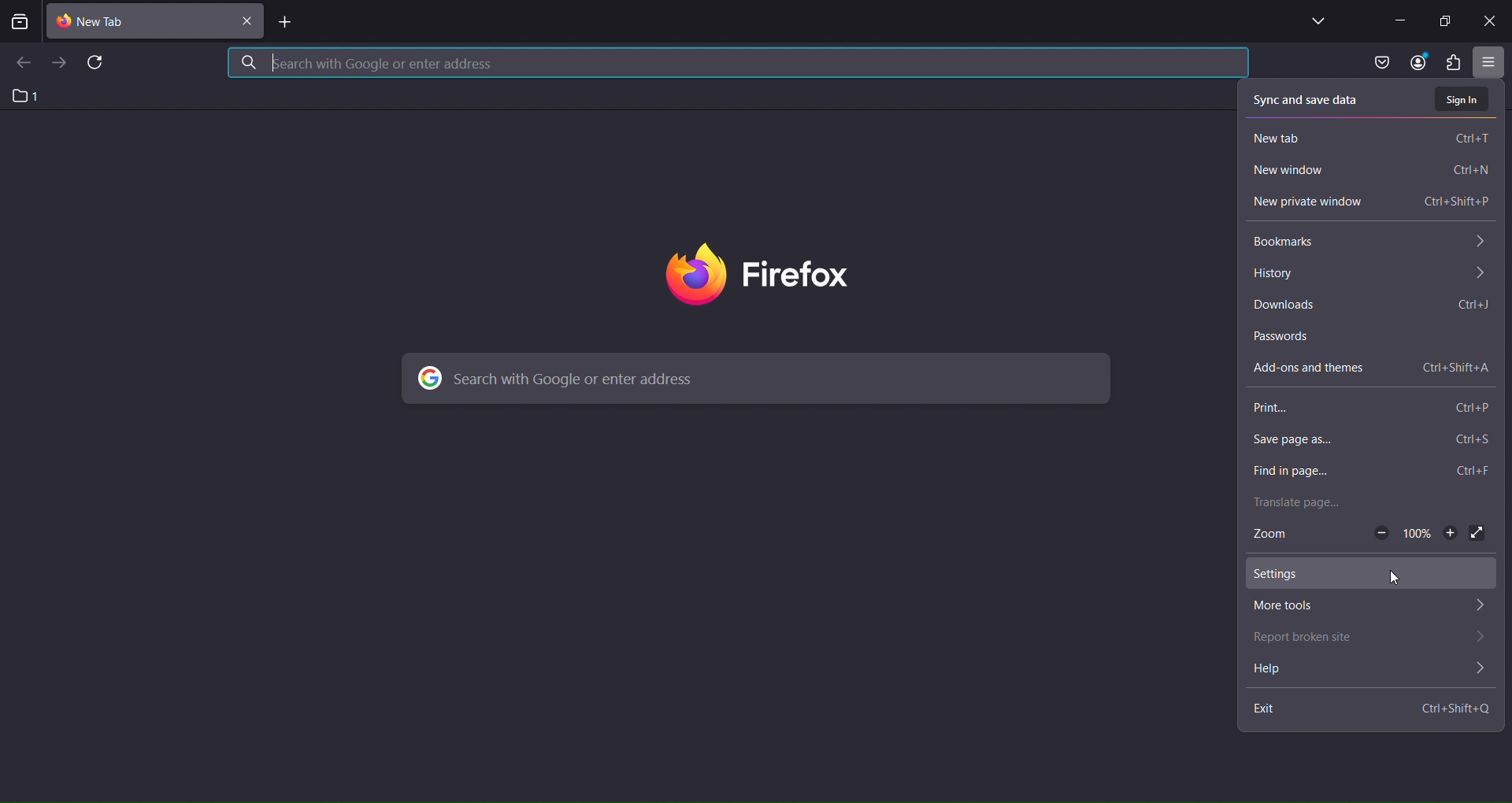 This screenshot has width=1512, height=803. I want to click on current tab, so click(106, 22).